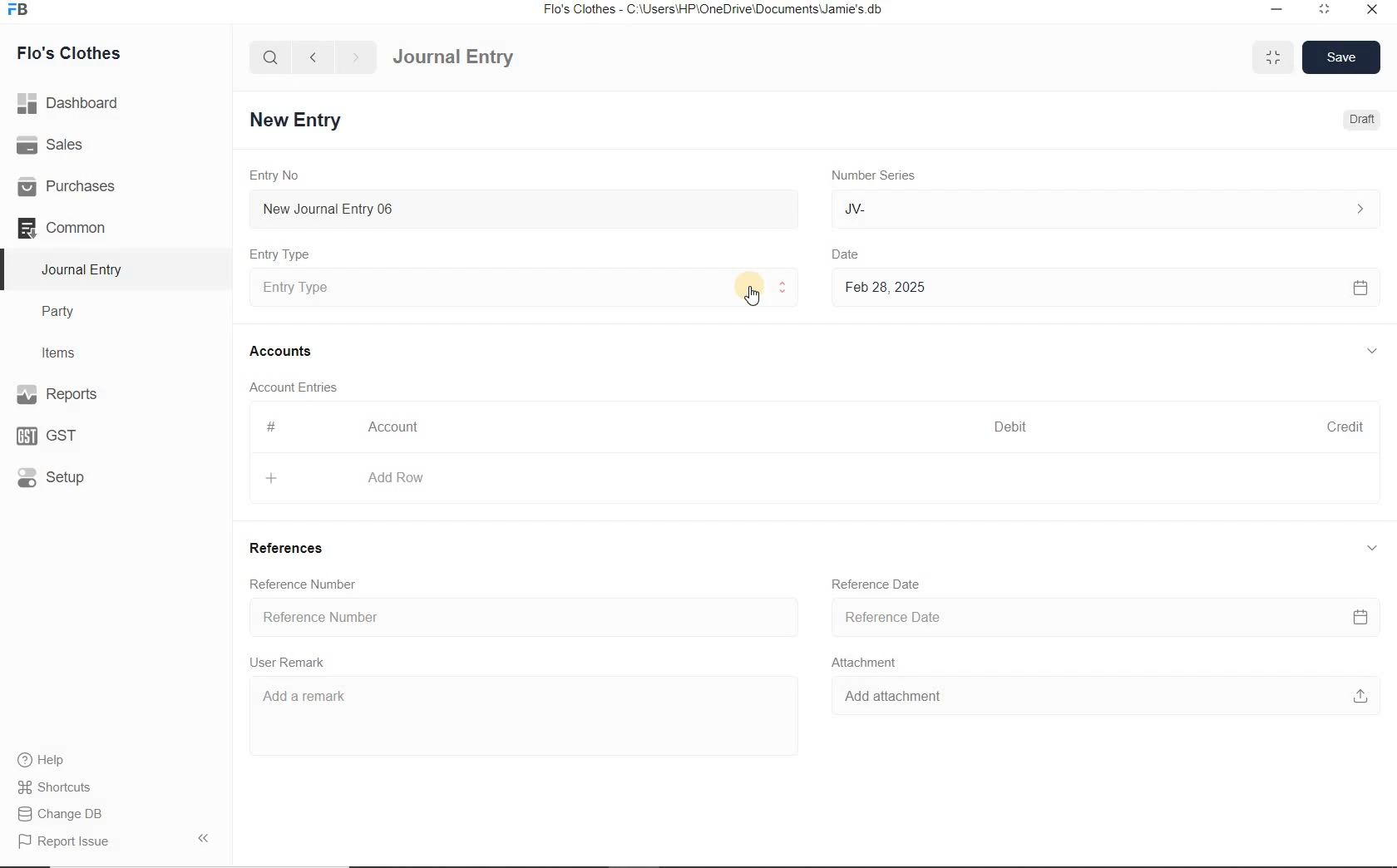 The width and height of the screenshot is (1397, 868). What do you see at coordinates (22, 12) in the screenshot?
I see `Frappe Books logo` at bounding box center [22, 12].